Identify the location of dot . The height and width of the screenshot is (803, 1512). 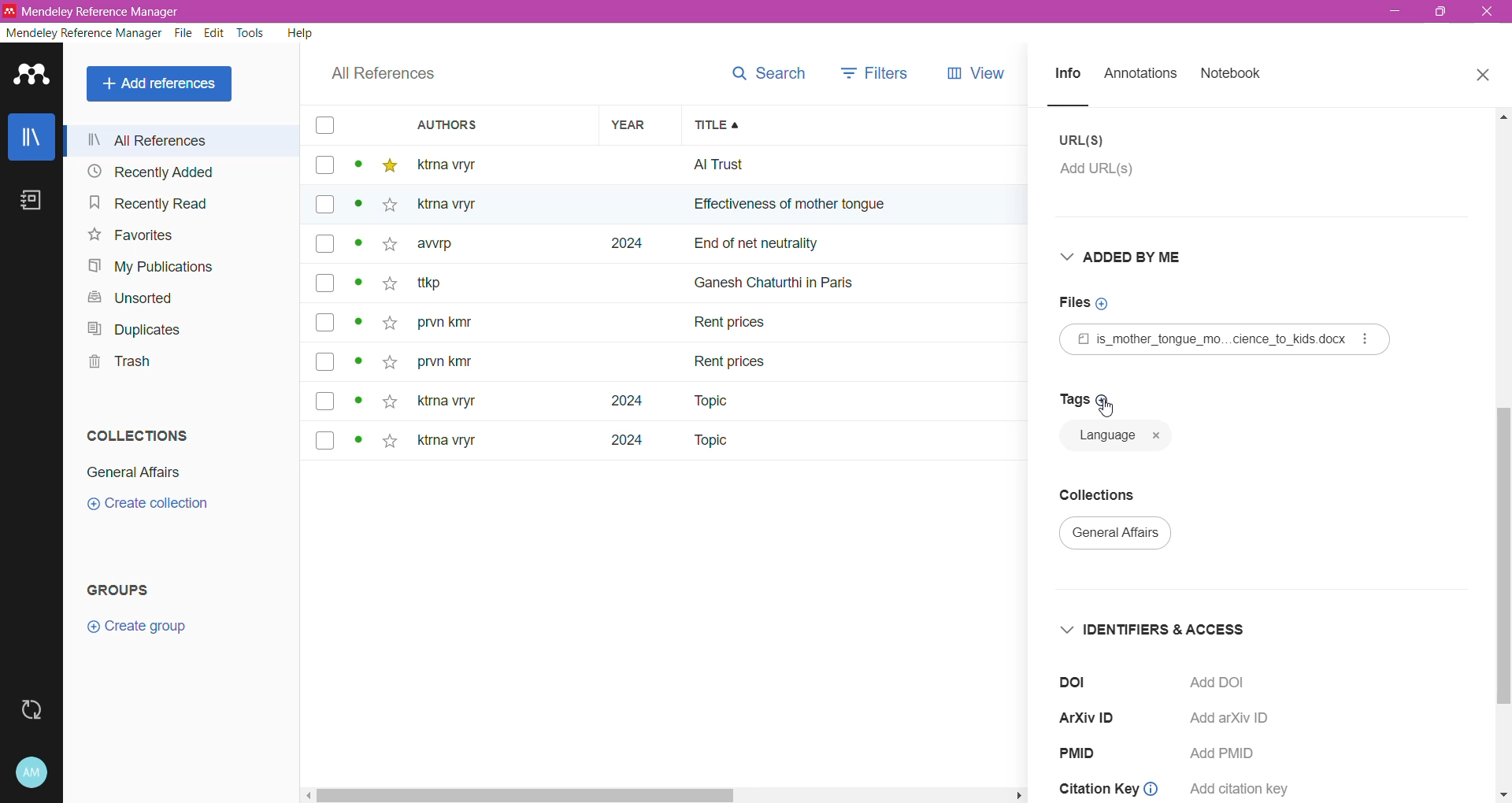
(358, 248).